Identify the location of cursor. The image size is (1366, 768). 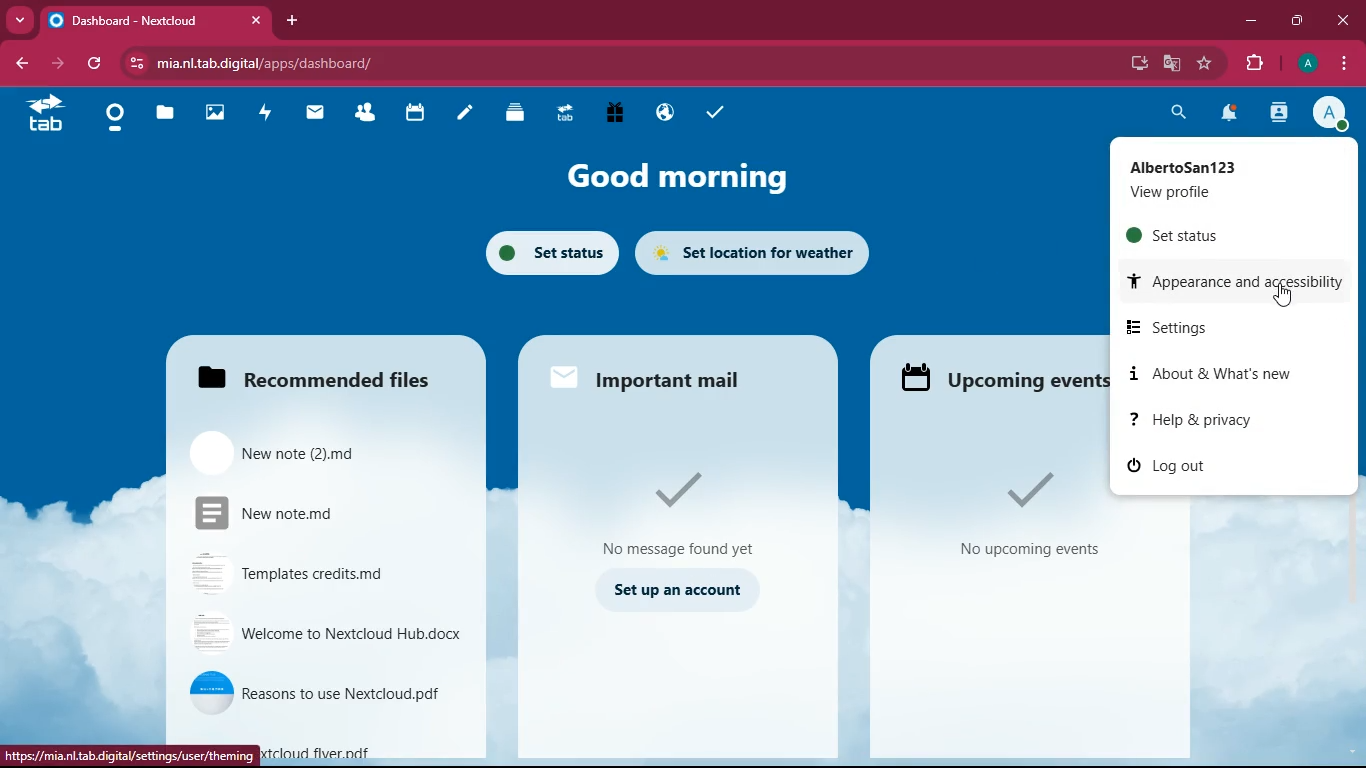
(1284, 297).